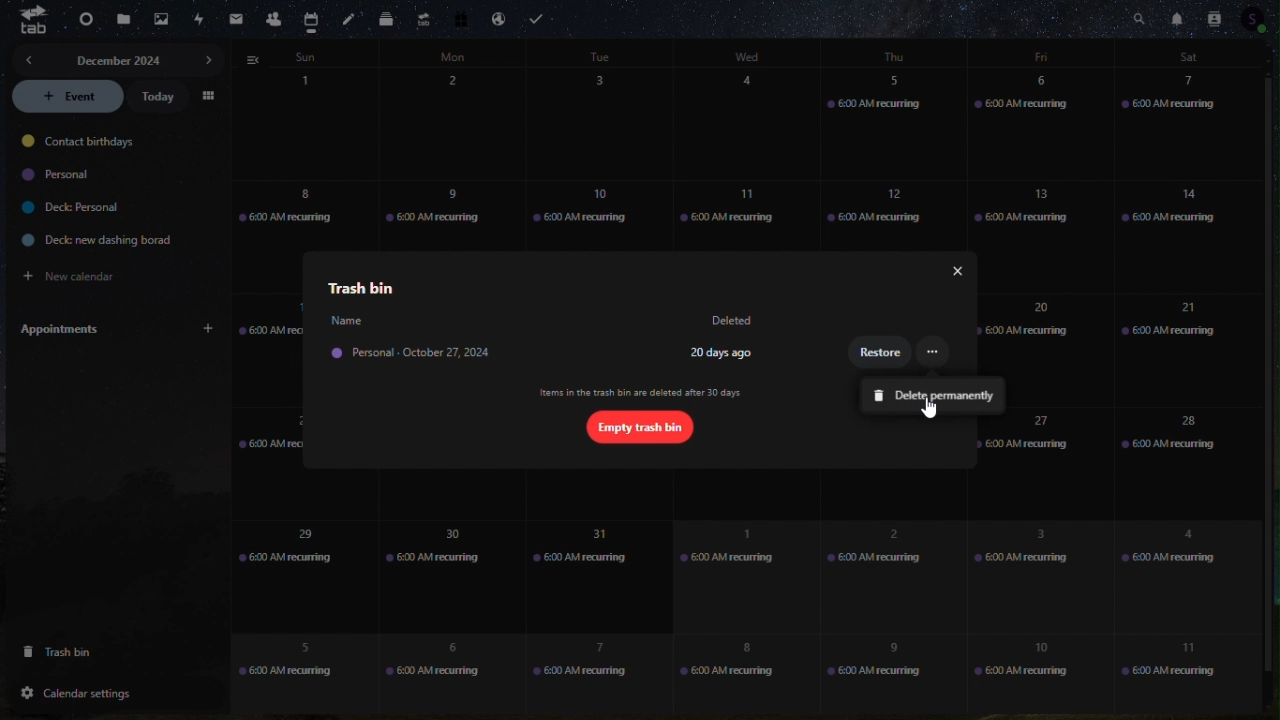 The image size is (1280, 720). What do you see at coordinates (606, 125) in the screenshot?
I see `3` at bounding box center [606, 125].